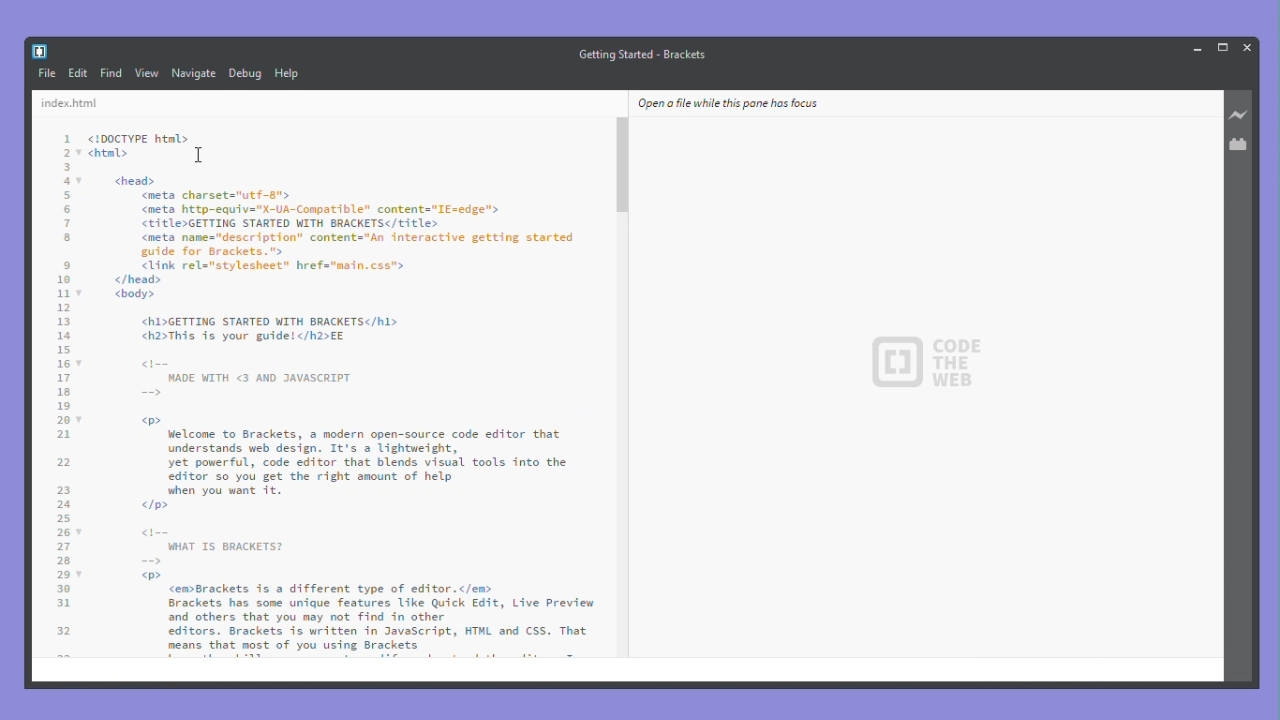 The height and width of the screenshot is (720, 1280). Describe the element at coordinates (67, 210) in the screenshot. I see `6` at that location.